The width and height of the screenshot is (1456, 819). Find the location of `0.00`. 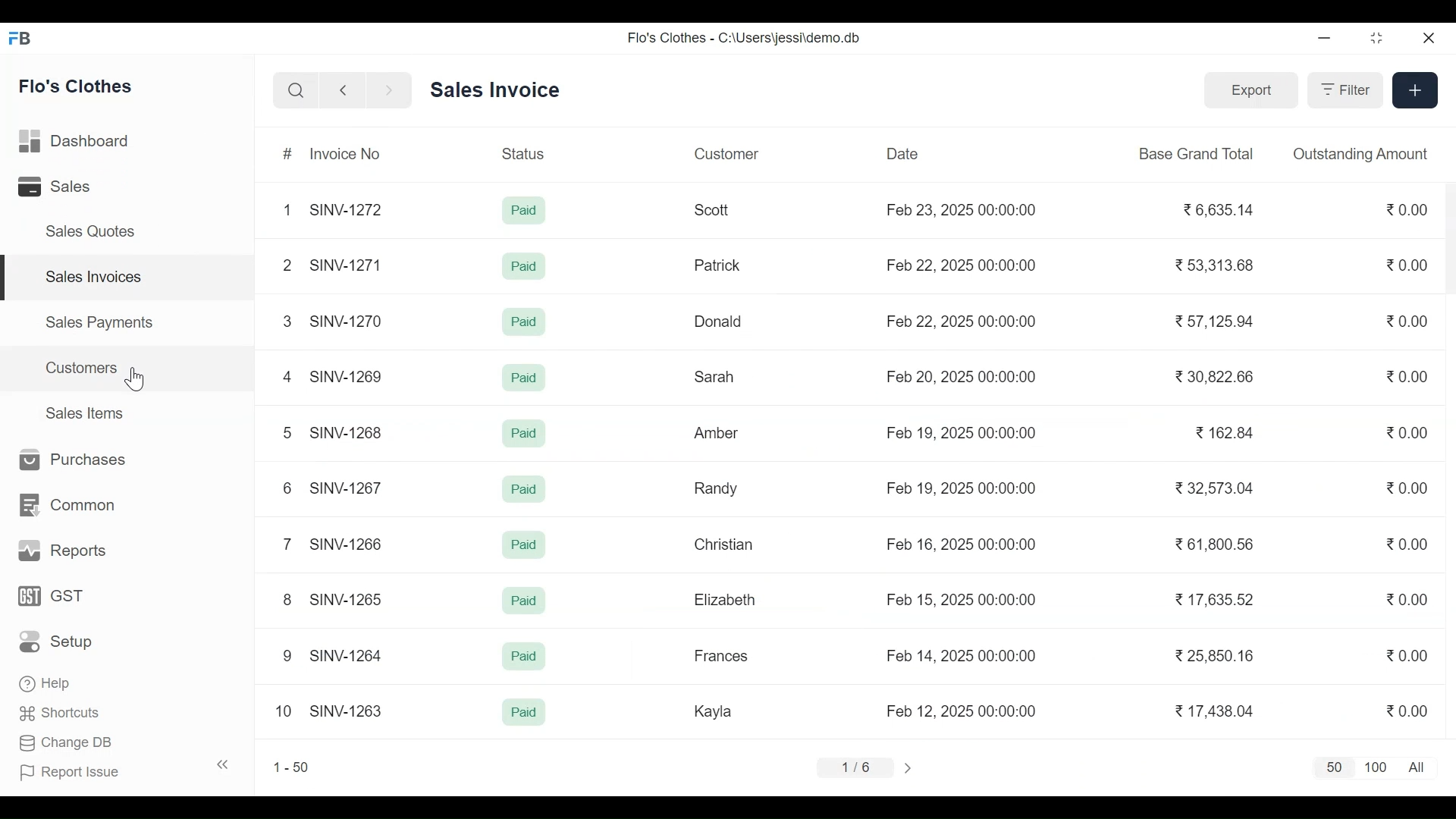

0.00 is located at coordinates (1407, 377).